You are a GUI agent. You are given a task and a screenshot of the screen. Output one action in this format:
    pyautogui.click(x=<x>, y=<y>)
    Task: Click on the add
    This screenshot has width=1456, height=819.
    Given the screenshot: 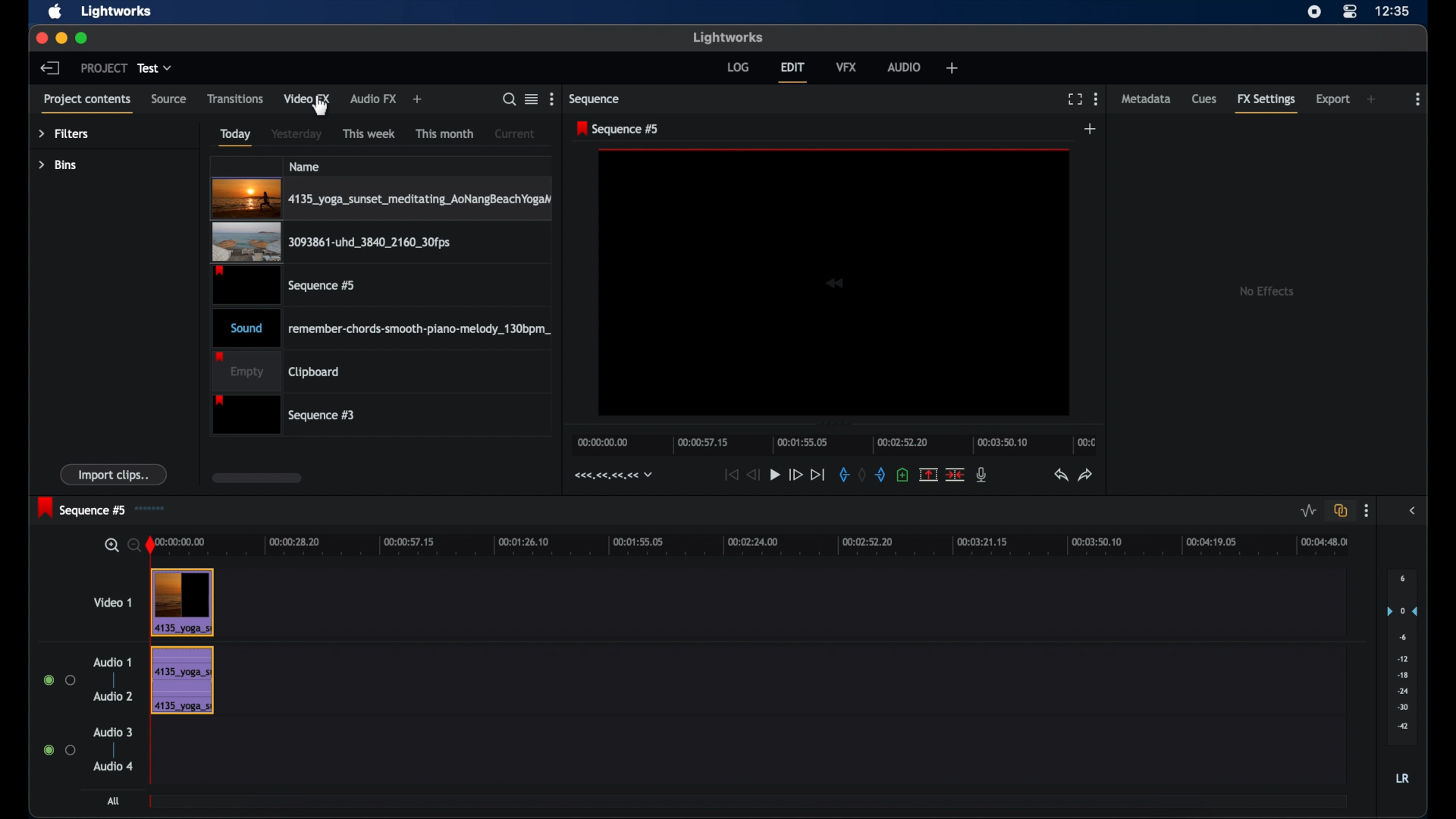 What is the action you would take?
    pyautogui.click(x=952, y=68)
    